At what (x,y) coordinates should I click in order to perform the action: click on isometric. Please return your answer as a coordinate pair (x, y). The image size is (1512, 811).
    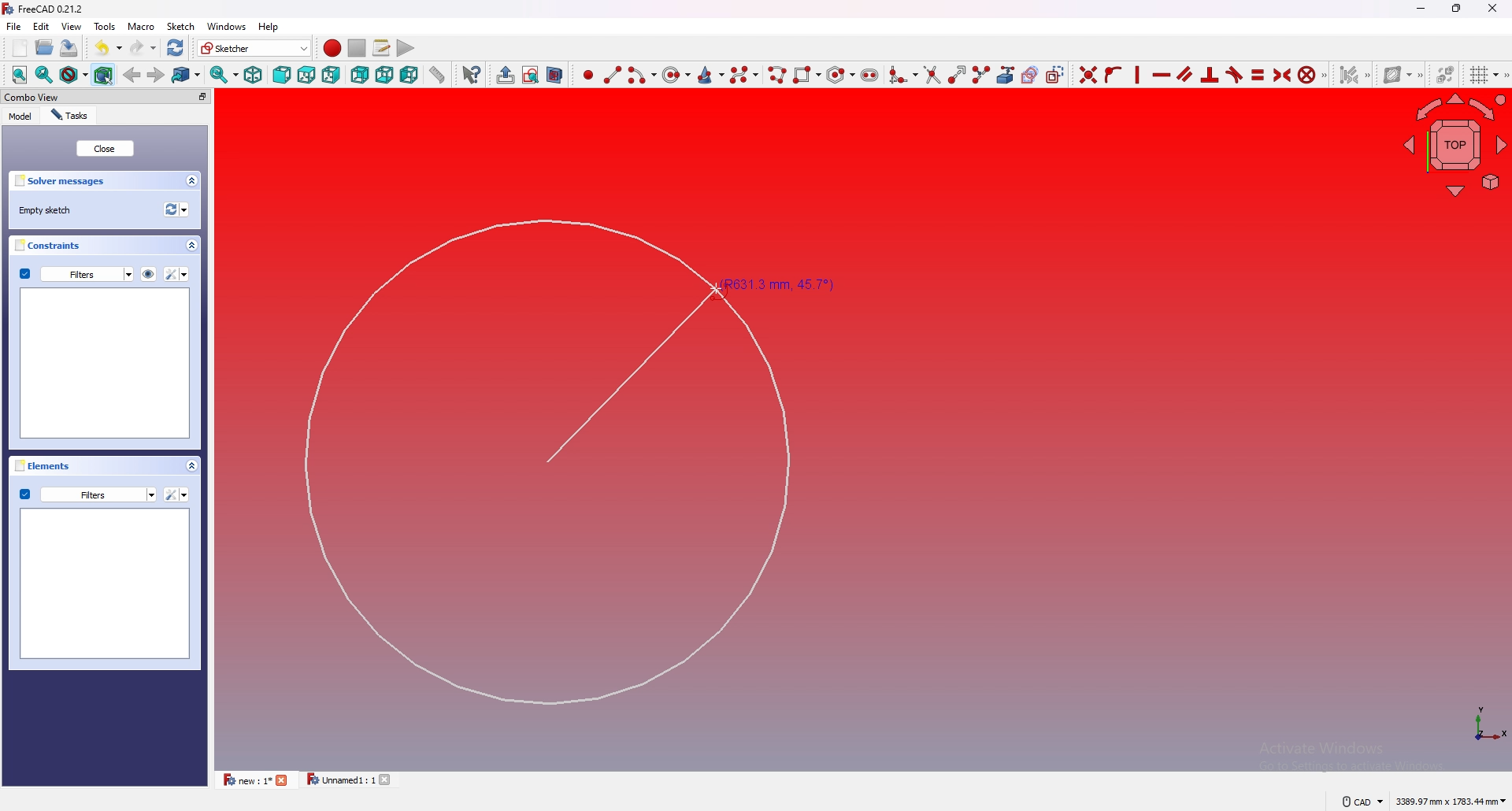
    Looking at the image, I should click on (253, 74).